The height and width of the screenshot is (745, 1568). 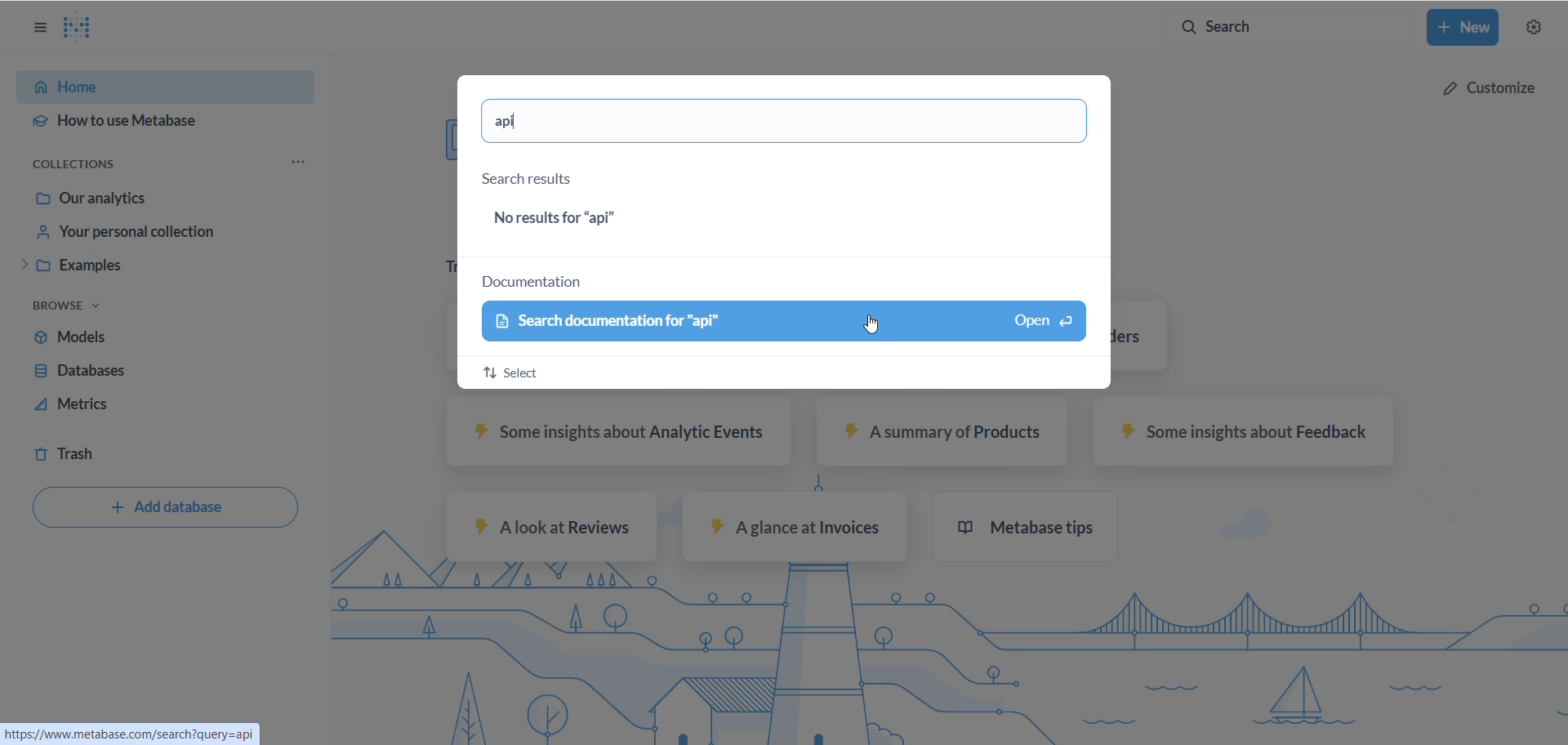 I want to click on results, so click(x=568, y=216).